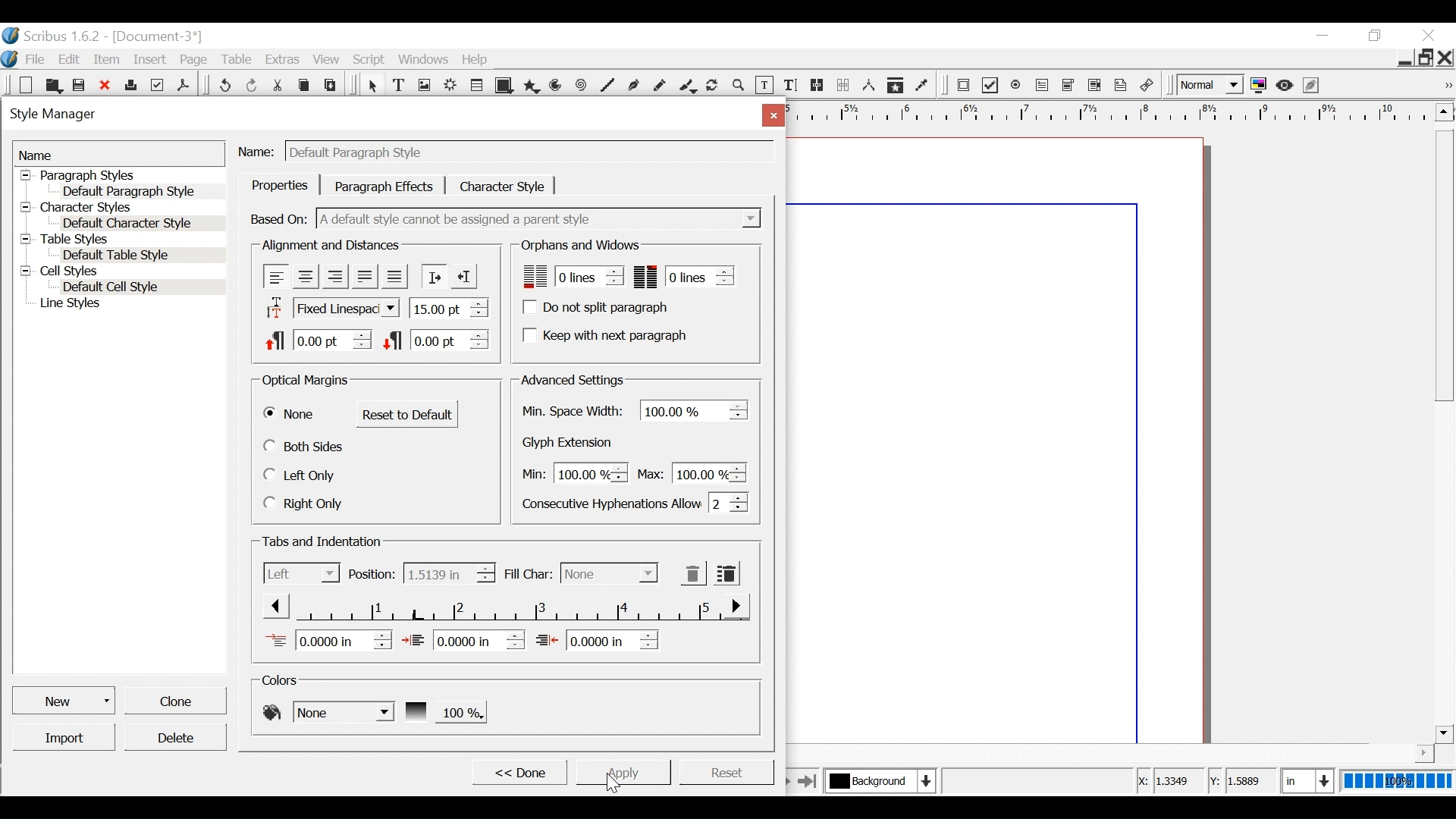  Describe the element at coordinates (280, 218) in the screenshot. I see `Based on` at that location.